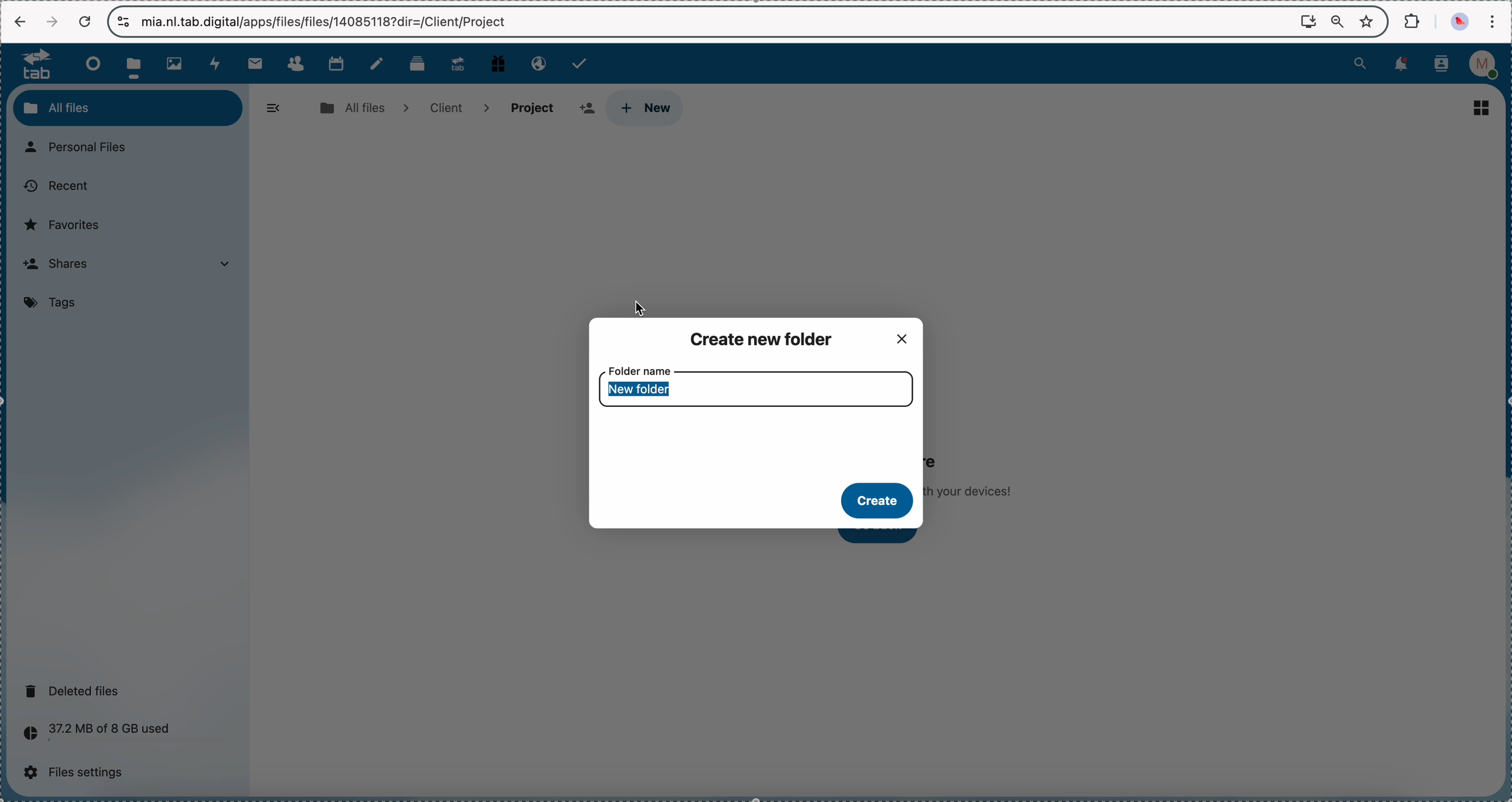 The height and width of the screenshot is (802, 1512). What do you see at coordinates (498, 62) in the screenshot?
I see `free` at bounding box center [498, 62].